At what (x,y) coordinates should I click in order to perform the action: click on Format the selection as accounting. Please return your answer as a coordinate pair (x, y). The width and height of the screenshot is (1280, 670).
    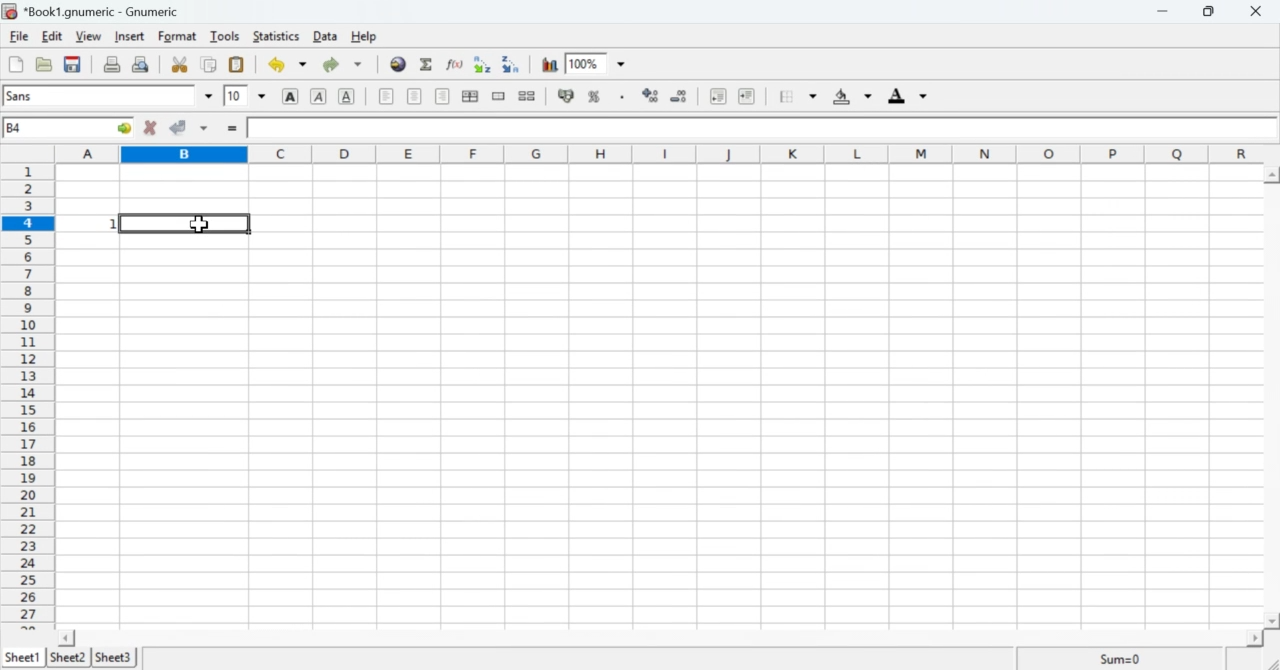
    Looking at the image, I should click on (566, 96).